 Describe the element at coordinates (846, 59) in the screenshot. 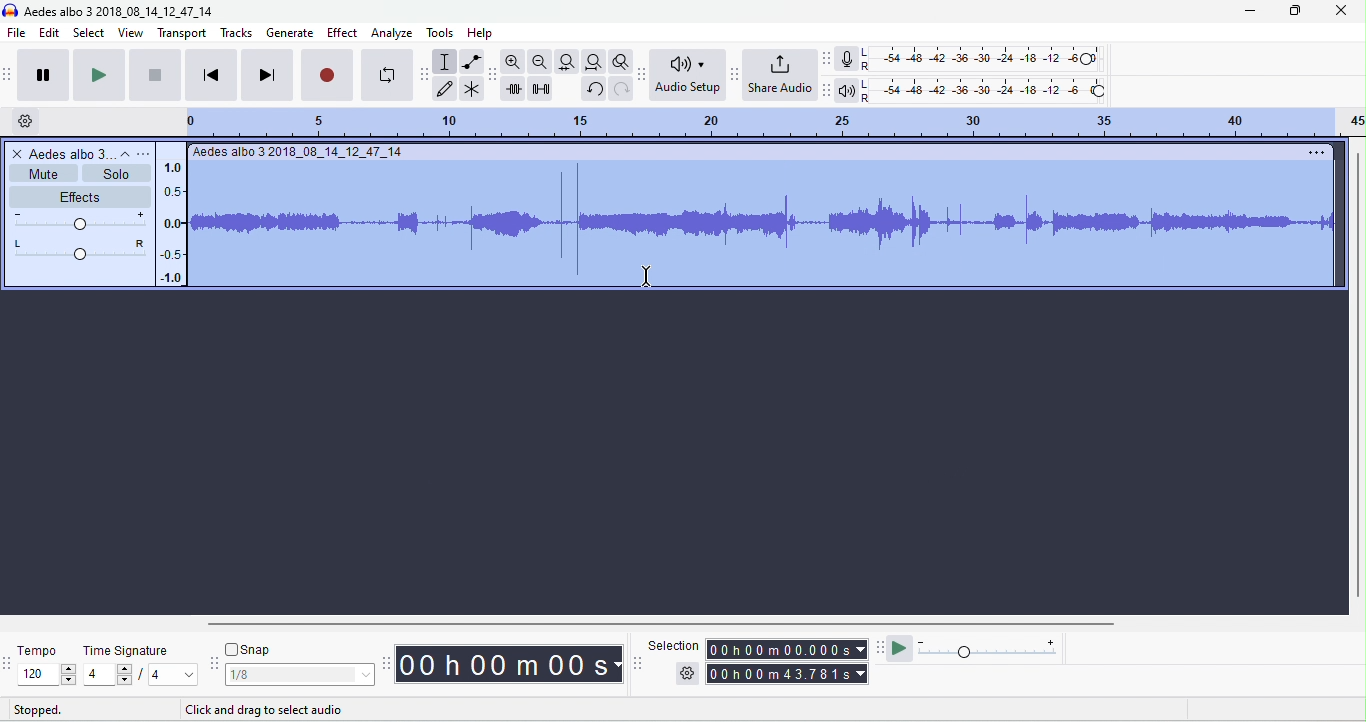

I see `record meter` at that location.